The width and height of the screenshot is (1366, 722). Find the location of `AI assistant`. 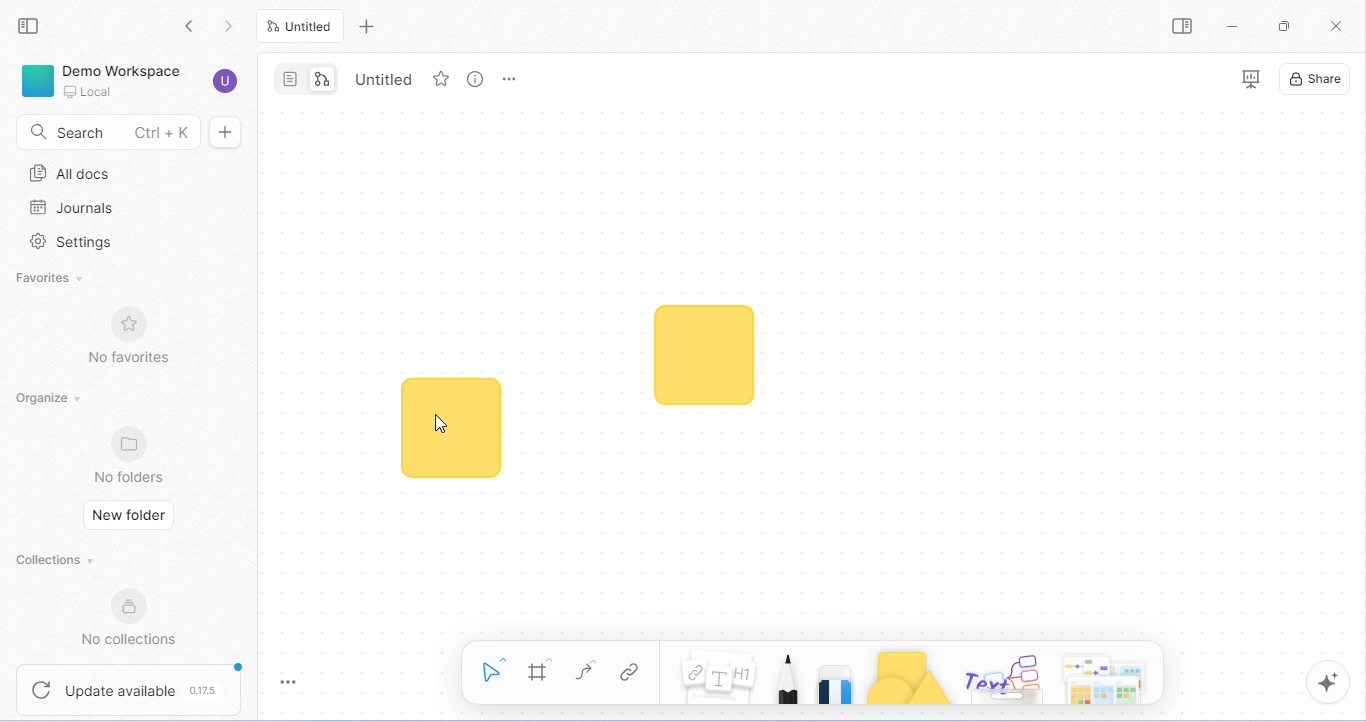

AI assistant is located at coordinates (1328, 681).